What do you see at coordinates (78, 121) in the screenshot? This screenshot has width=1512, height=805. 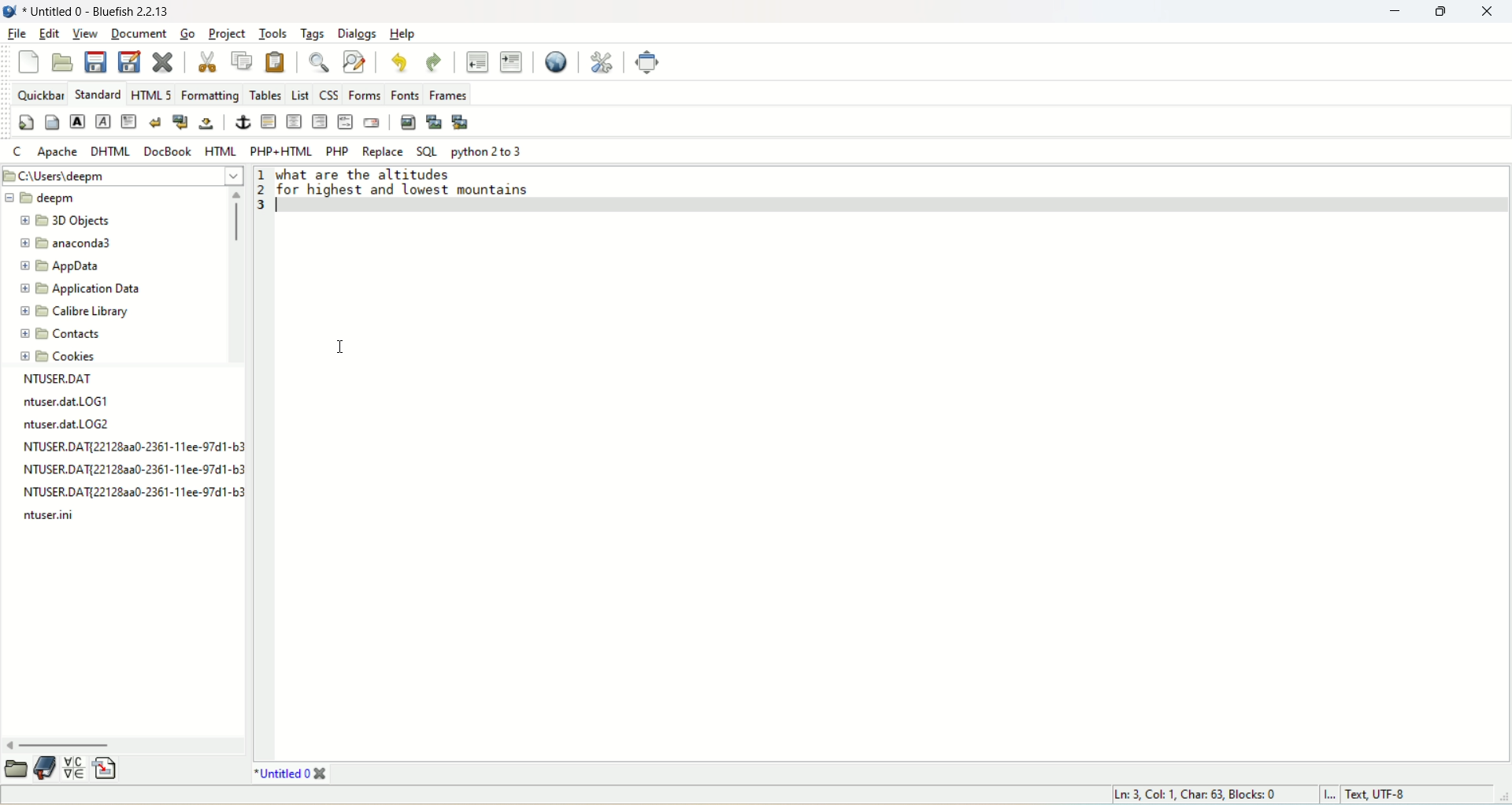 I see `strong` at bounding box center [78, 121].